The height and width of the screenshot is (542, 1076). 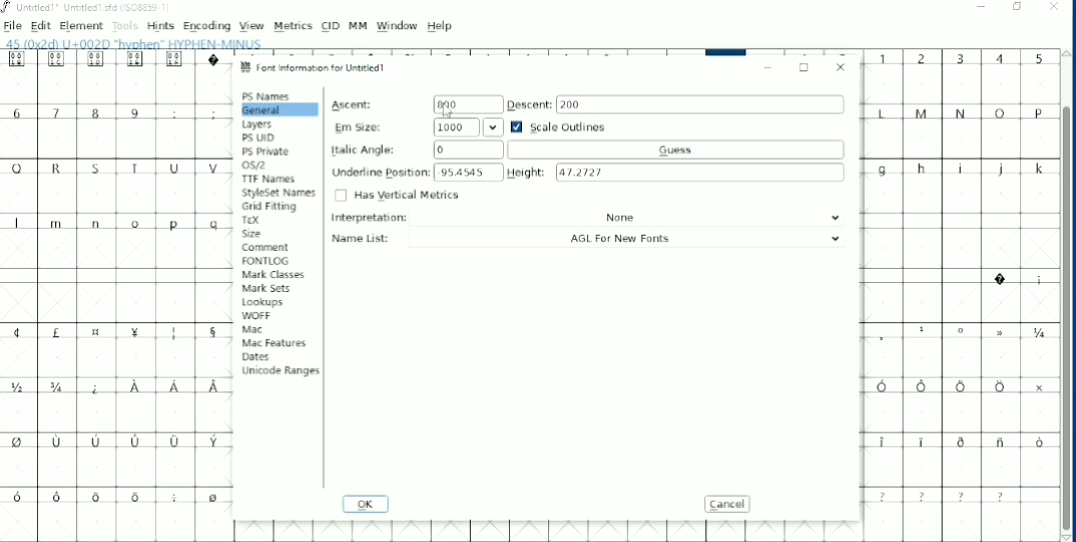 What do you see at coordinates (255, 357) in the screenshot?
I see `Dates` at bounding box center [255, 357].